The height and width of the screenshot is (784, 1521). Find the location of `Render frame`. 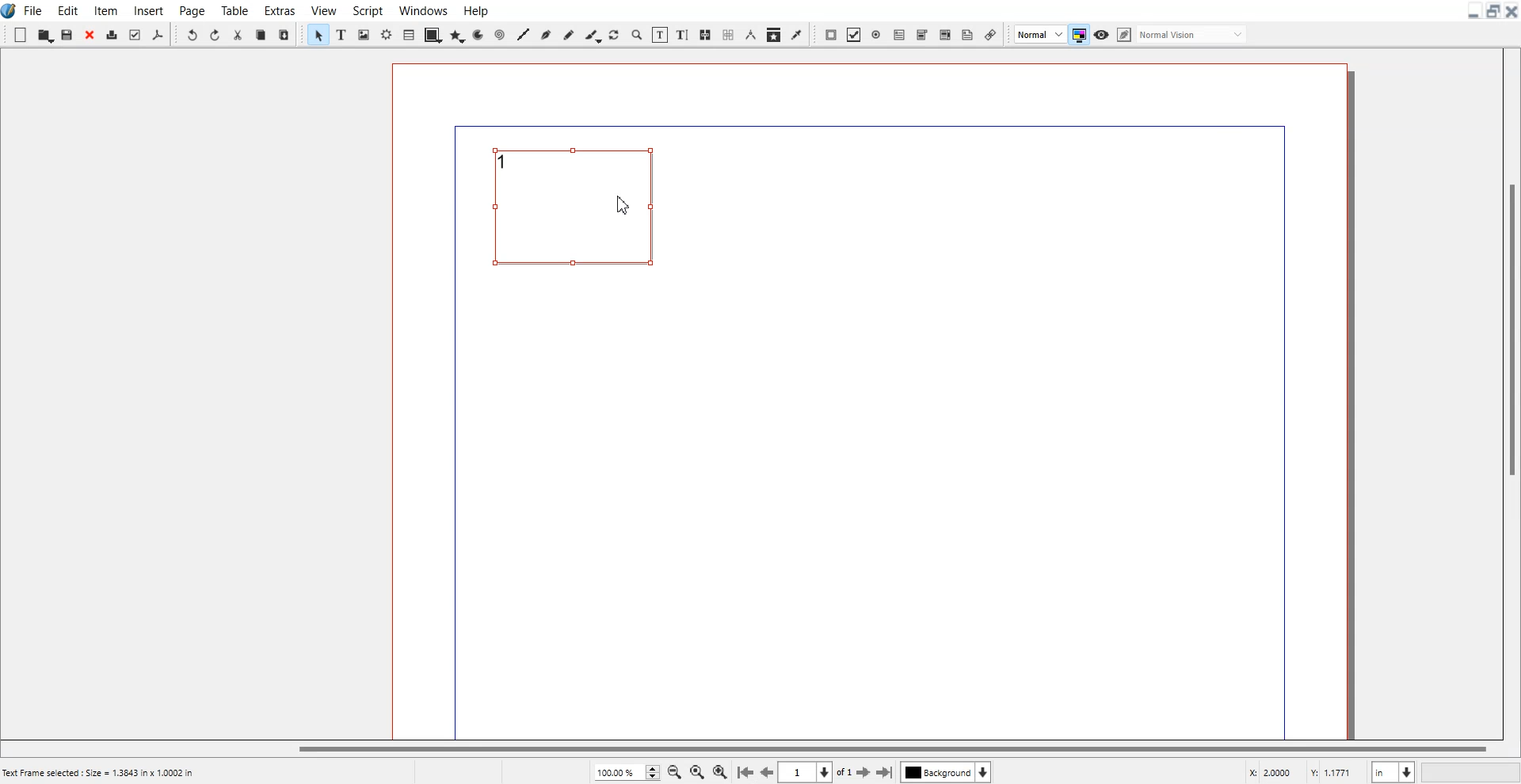

Render frame is located at coordinates (386, 34).